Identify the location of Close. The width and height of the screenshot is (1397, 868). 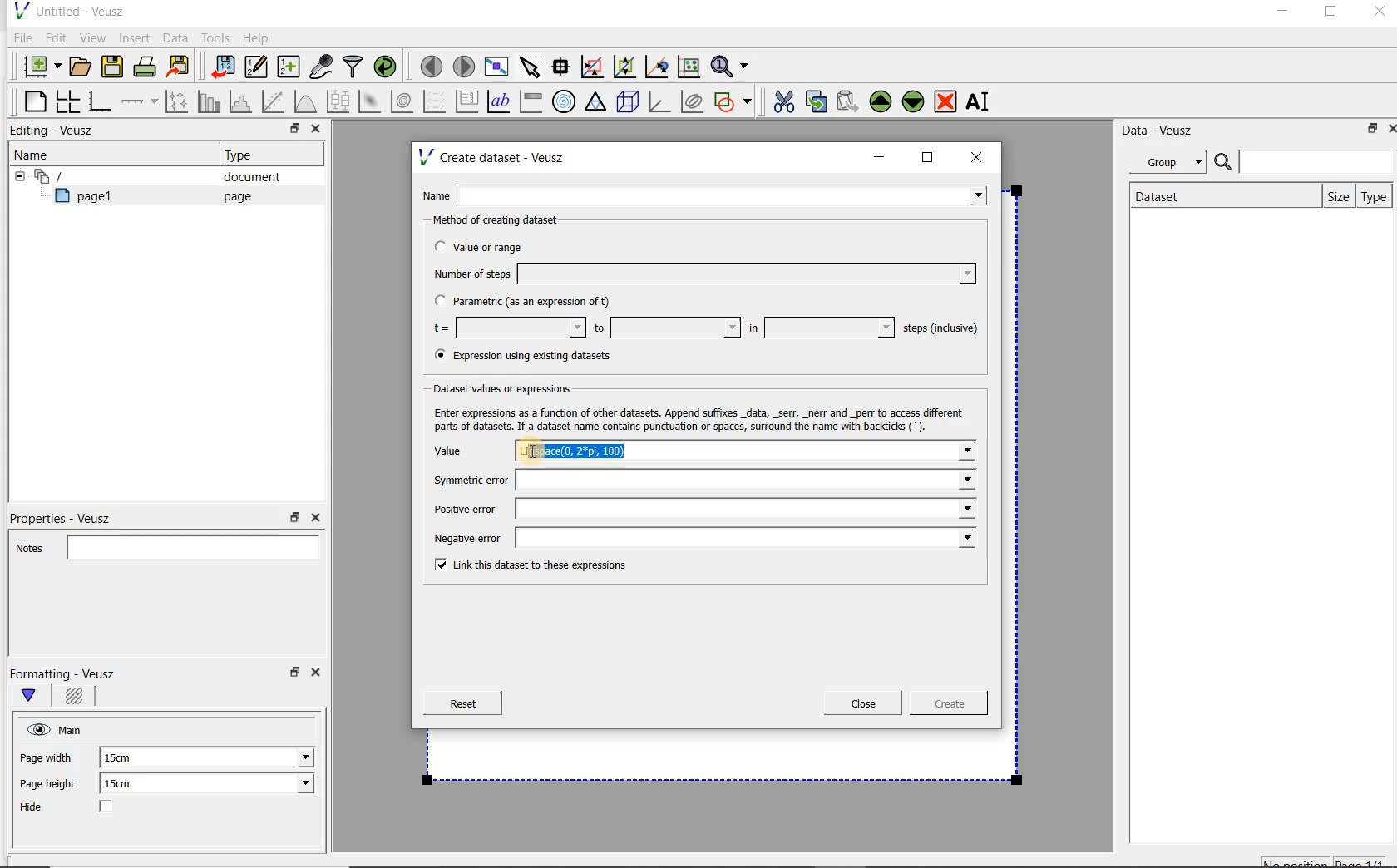
(863, 703).